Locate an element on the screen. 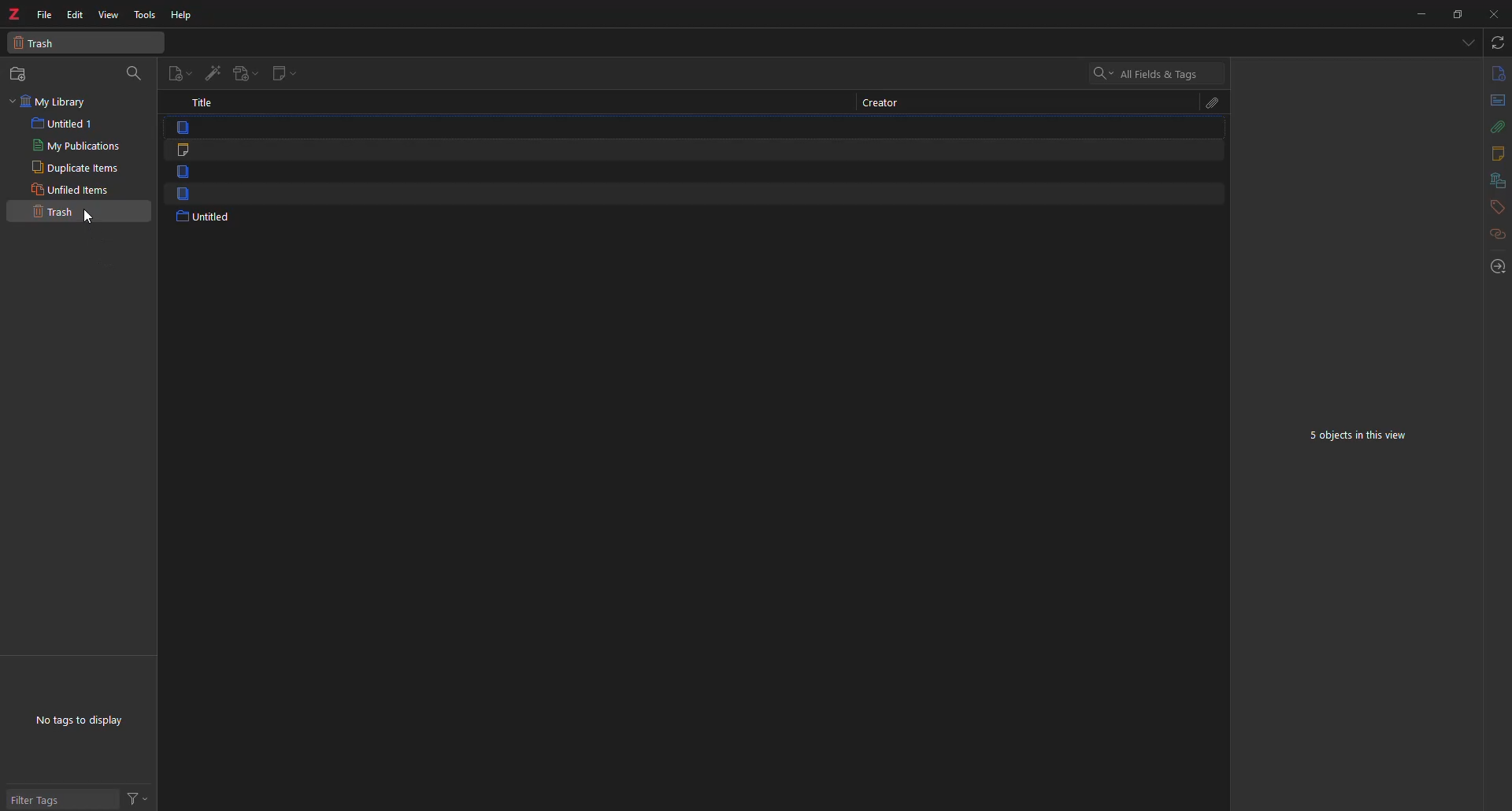  trash is located at coordinates (83, 211).